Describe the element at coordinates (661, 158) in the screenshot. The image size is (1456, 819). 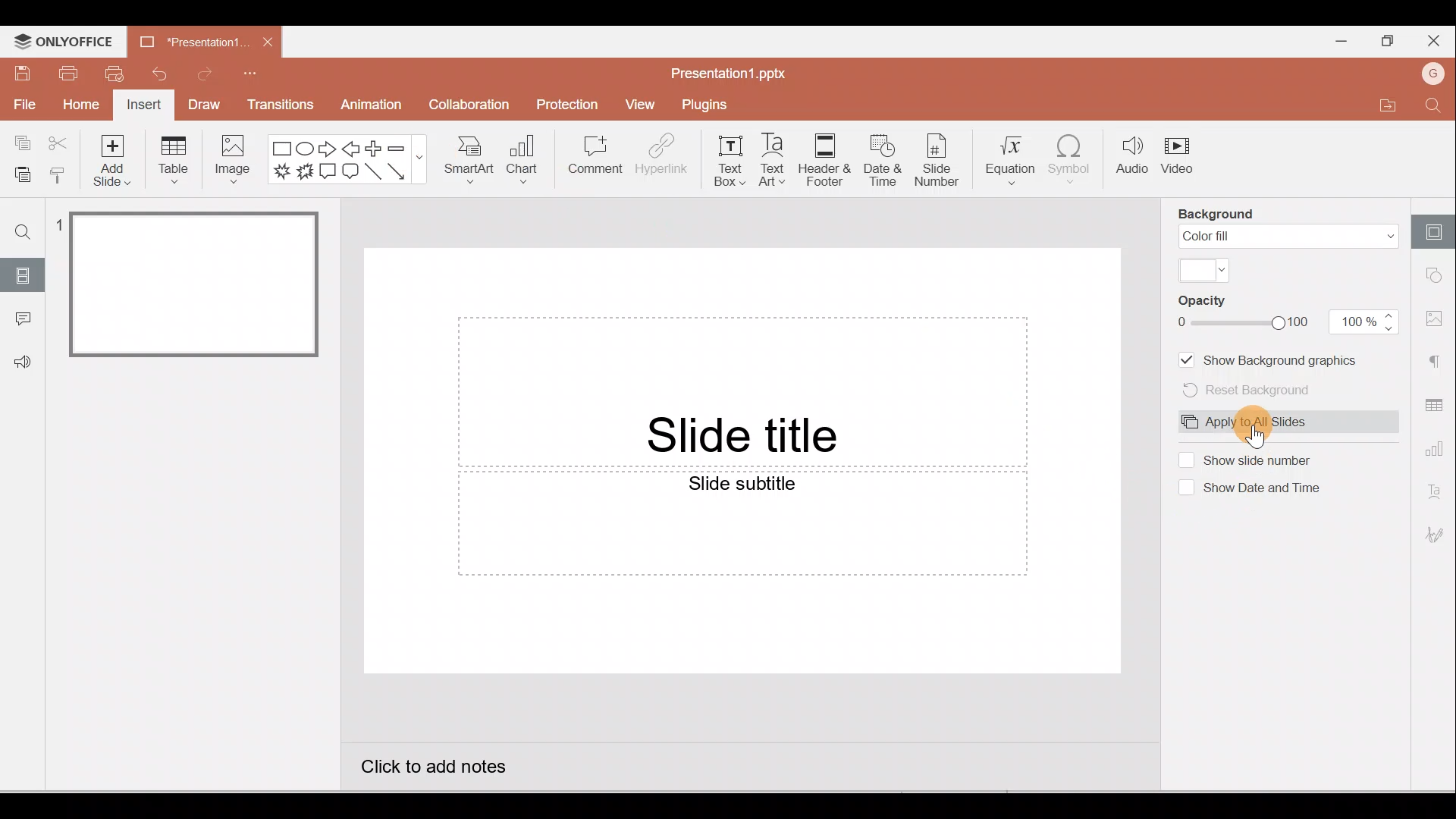
I see `Hyperlink` at that location.